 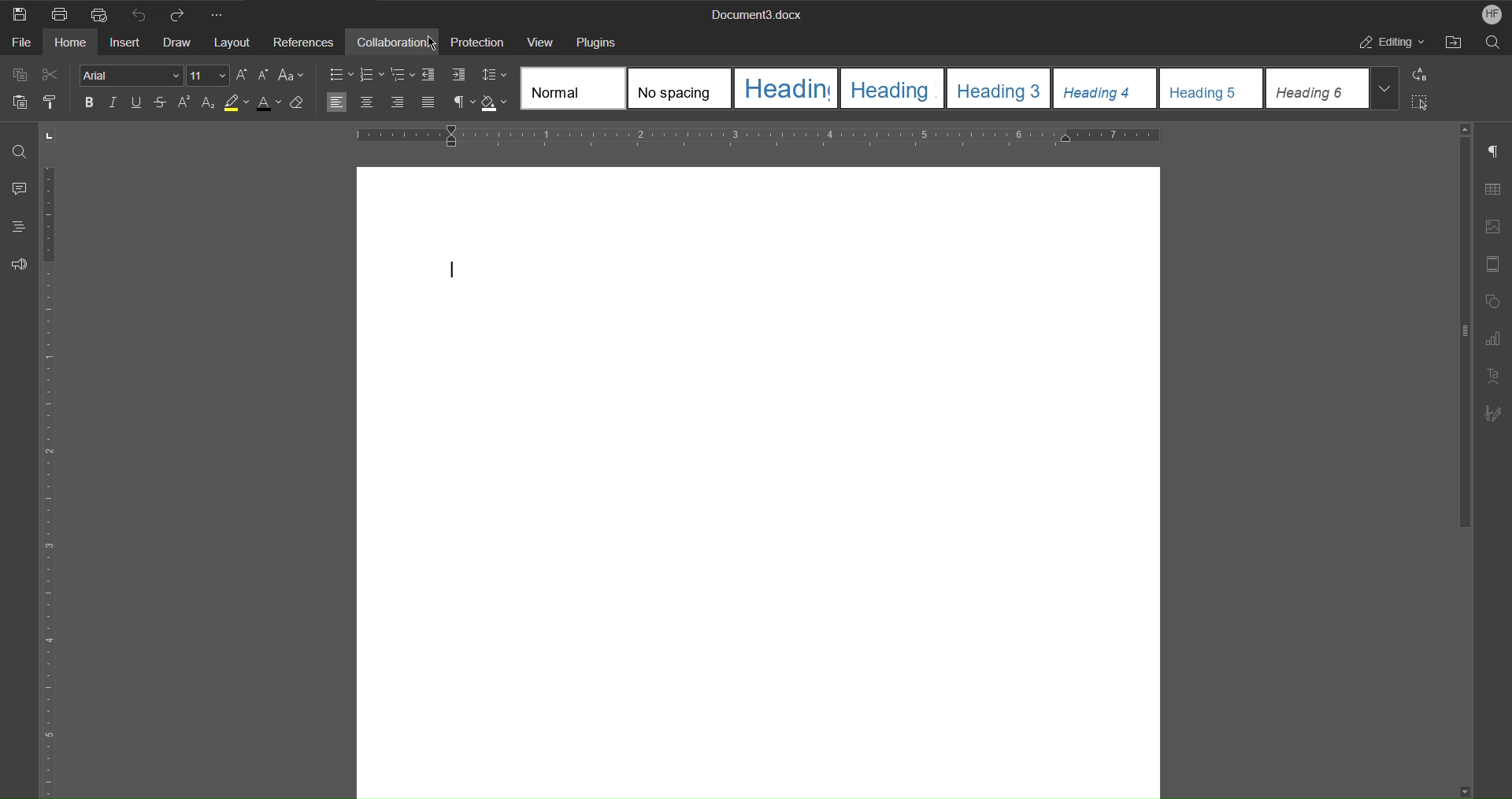 I want to click on Copy Style, so click(x=56, y=101).